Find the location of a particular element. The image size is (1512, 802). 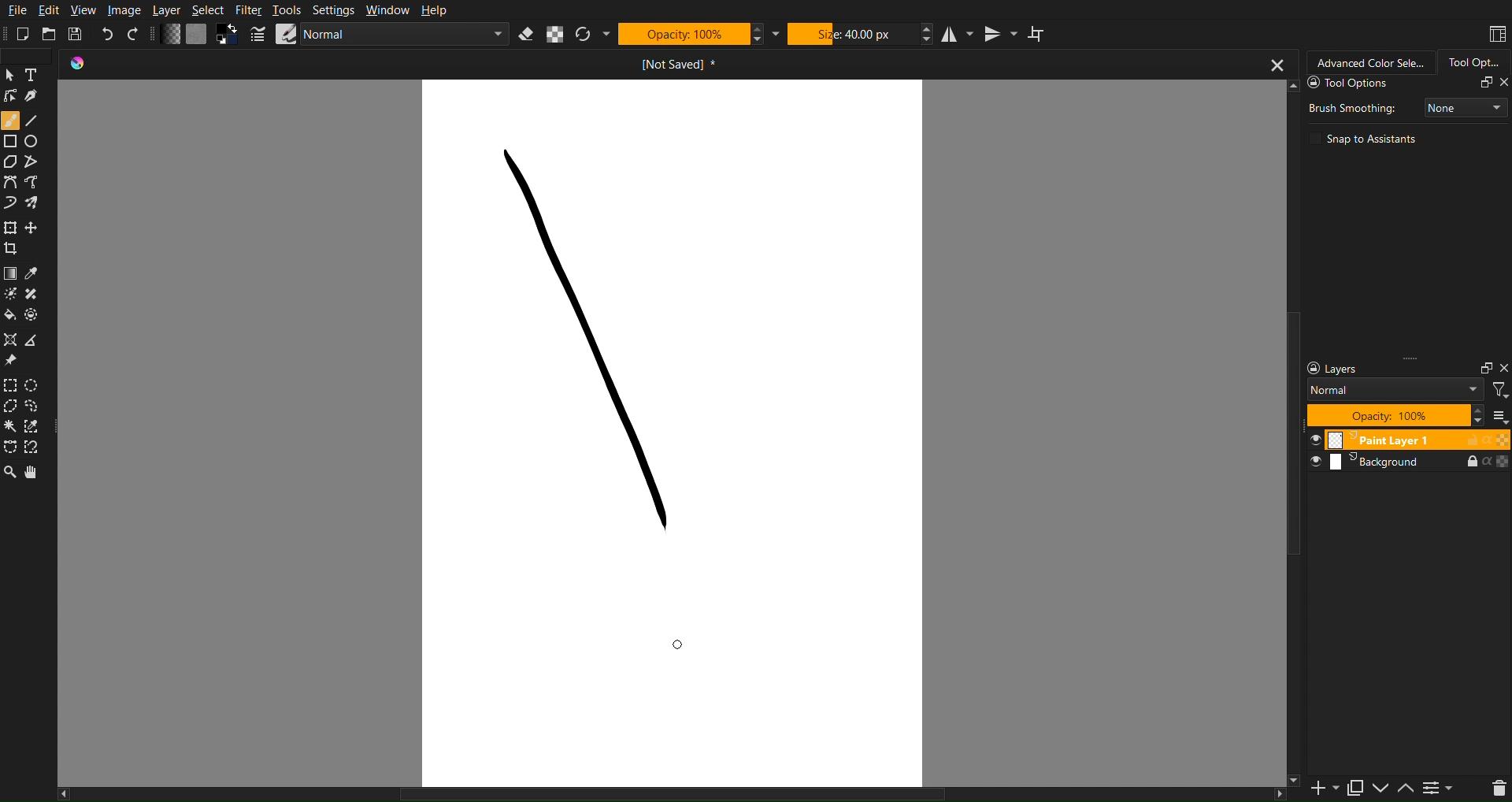

Window is located at coordinates (387, 9).